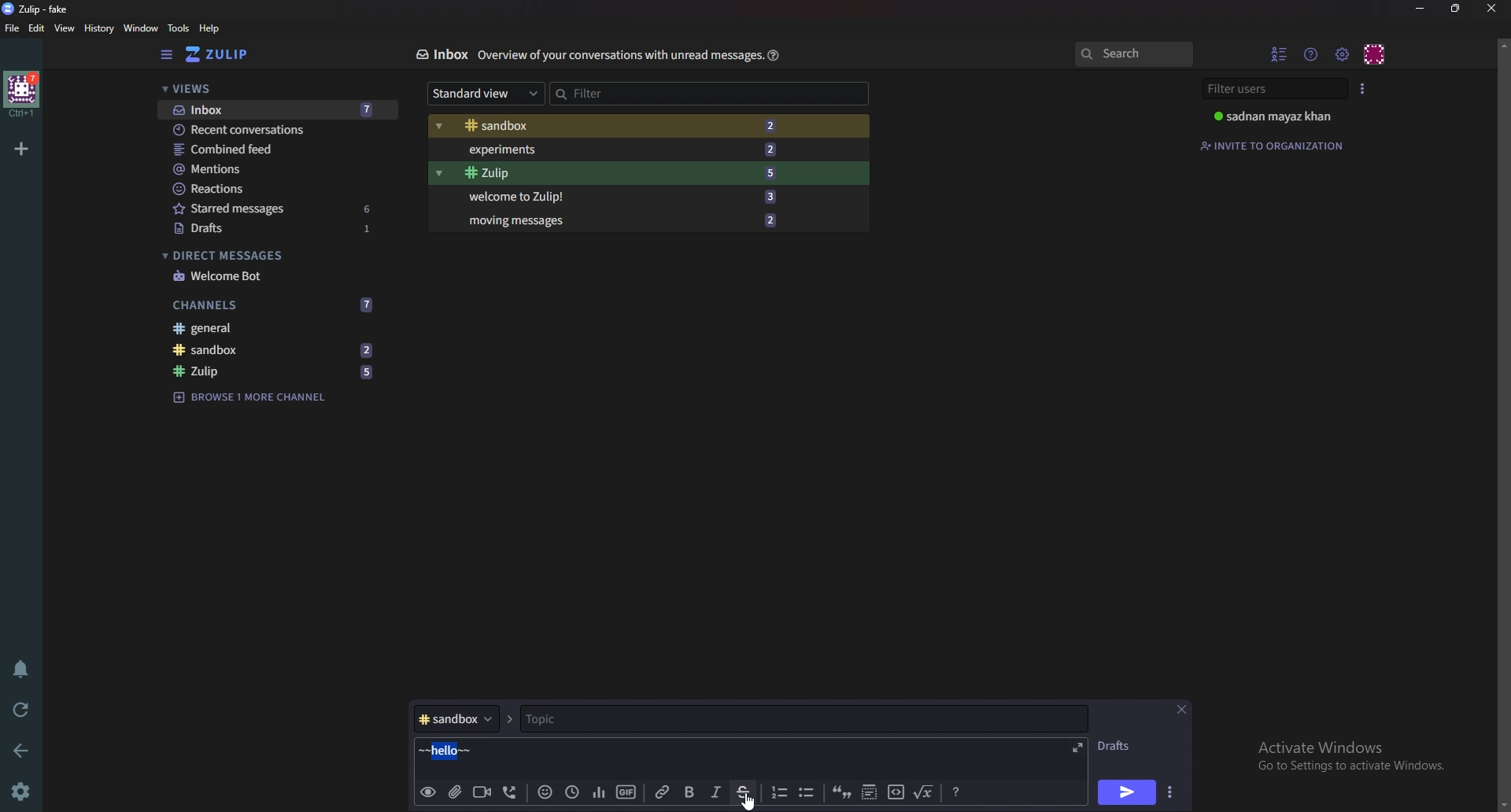 This screenshot has height=812, width=1511. Describe the element at coordinates (454, 793) in the screenshot. I see `add file` at that location.